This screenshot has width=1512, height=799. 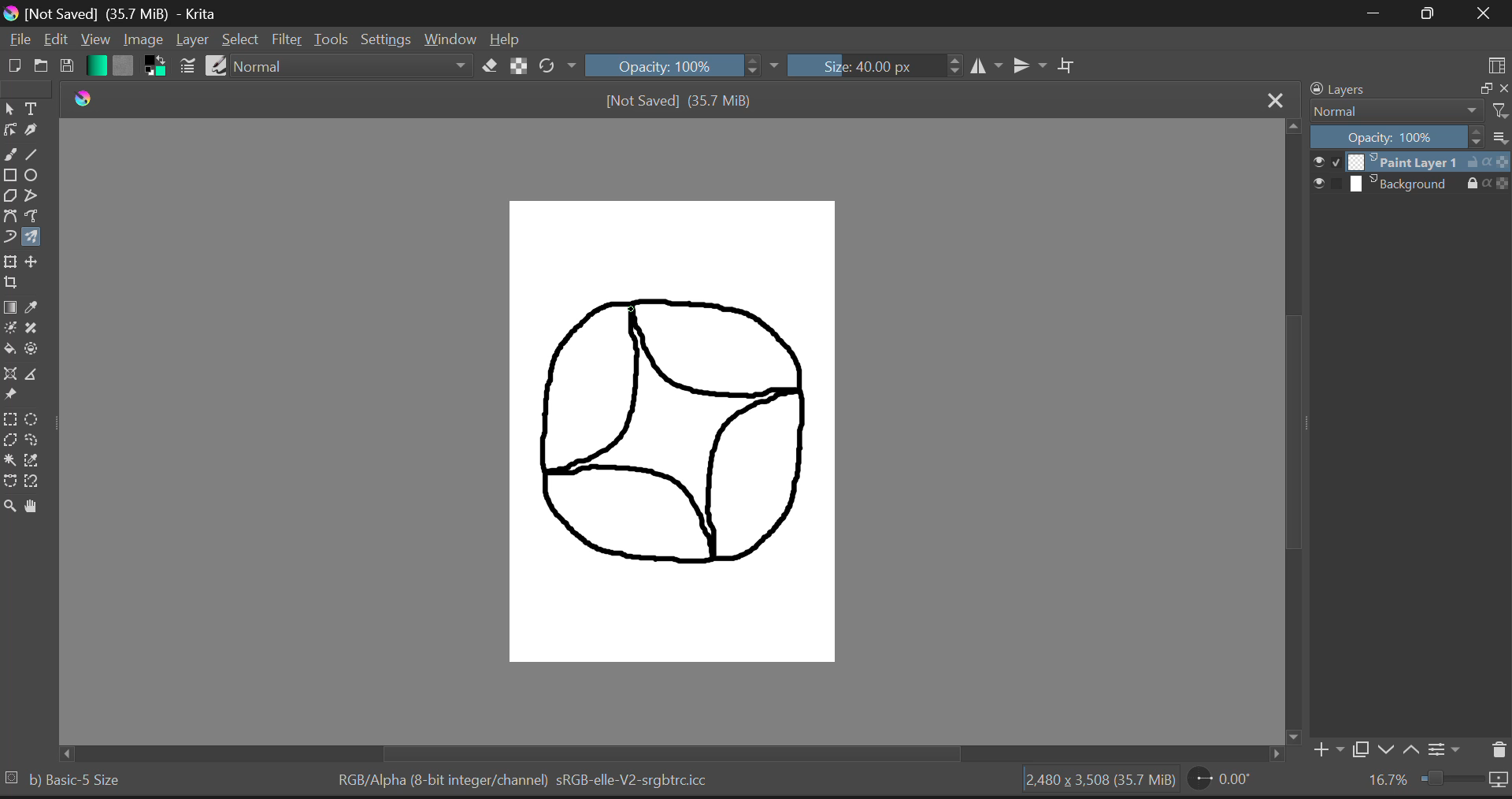 I want to click on Freehand Path Tool, so click(x=34, y=214).